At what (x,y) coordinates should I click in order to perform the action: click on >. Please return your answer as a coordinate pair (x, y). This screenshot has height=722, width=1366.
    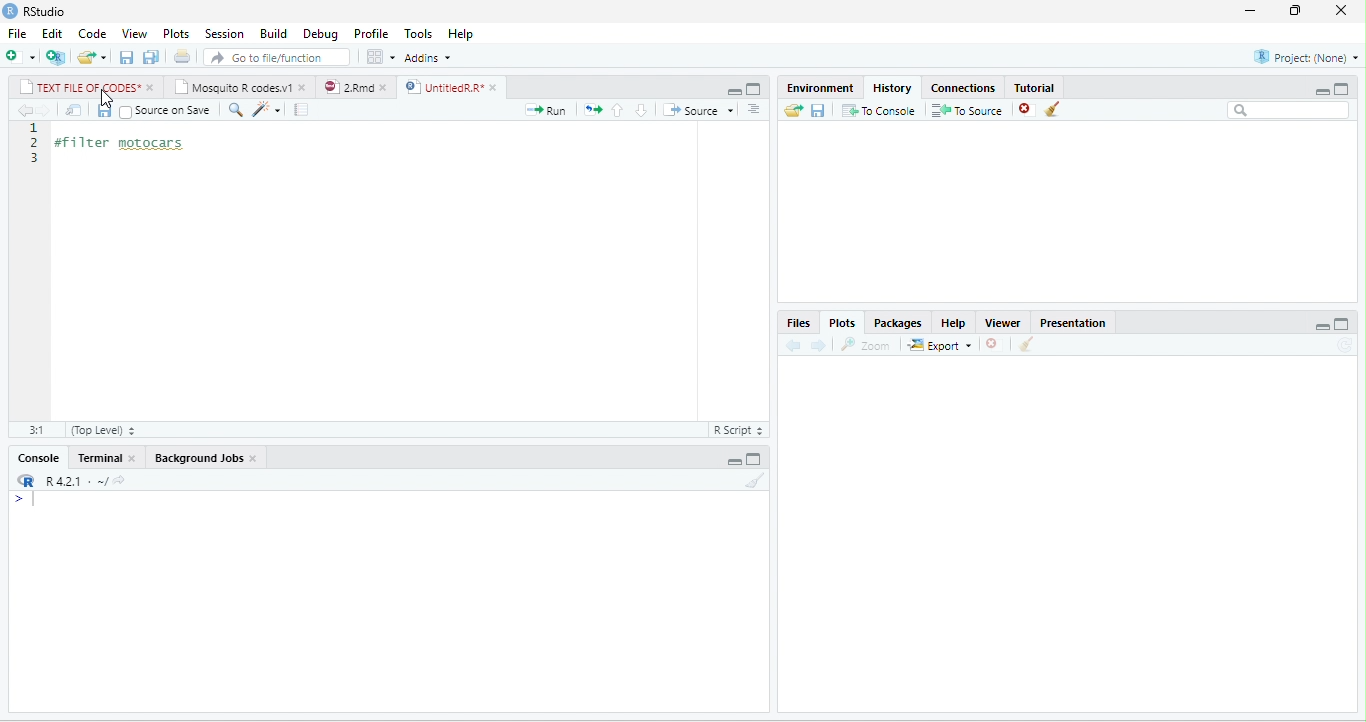
    Looking at the image, I should click on (30, 499).